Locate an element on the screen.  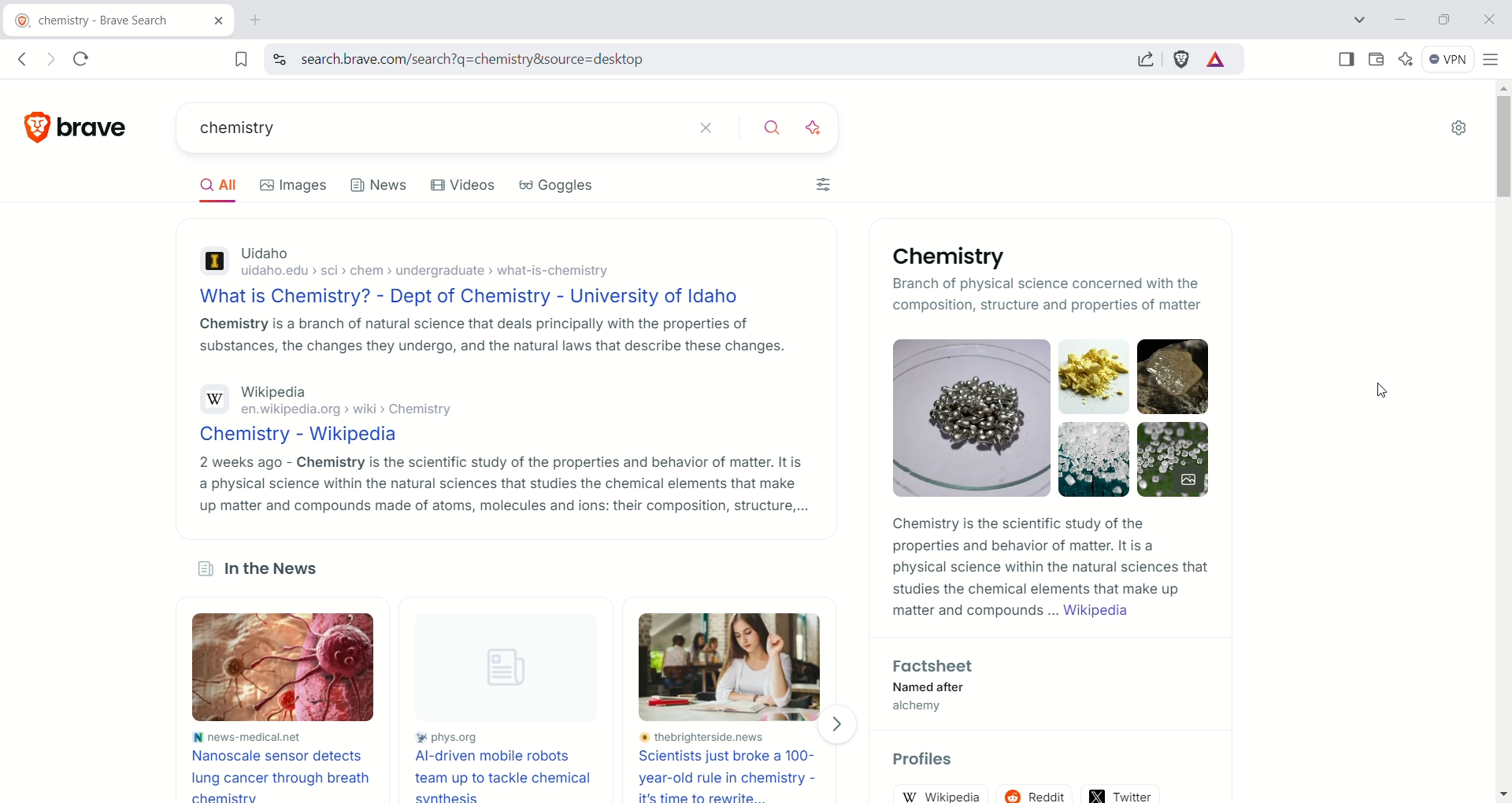
leo AI is located at coordinates (1406, 59).